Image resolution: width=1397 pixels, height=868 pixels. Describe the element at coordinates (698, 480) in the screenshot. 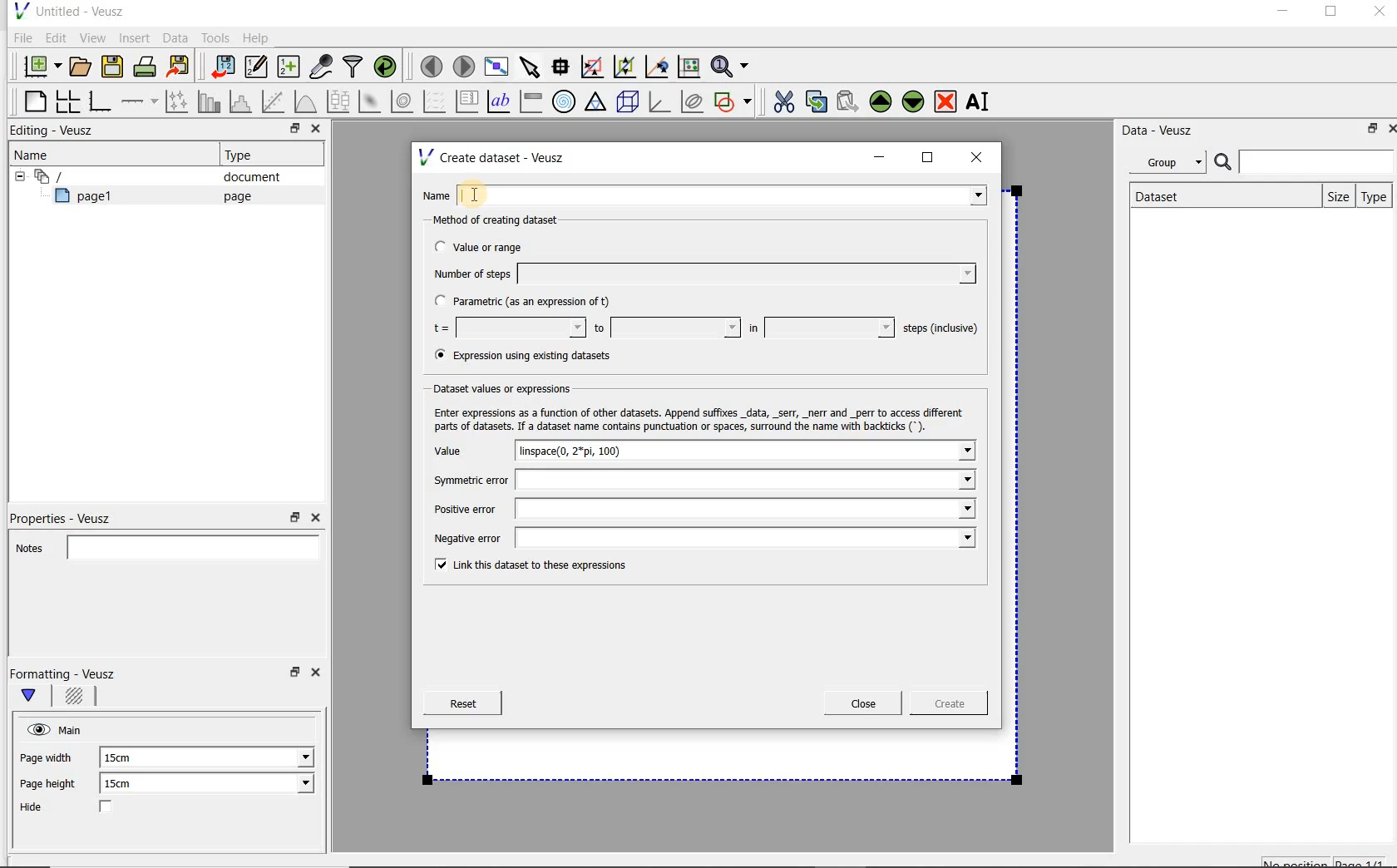

I see `Symmetric error` at that location.